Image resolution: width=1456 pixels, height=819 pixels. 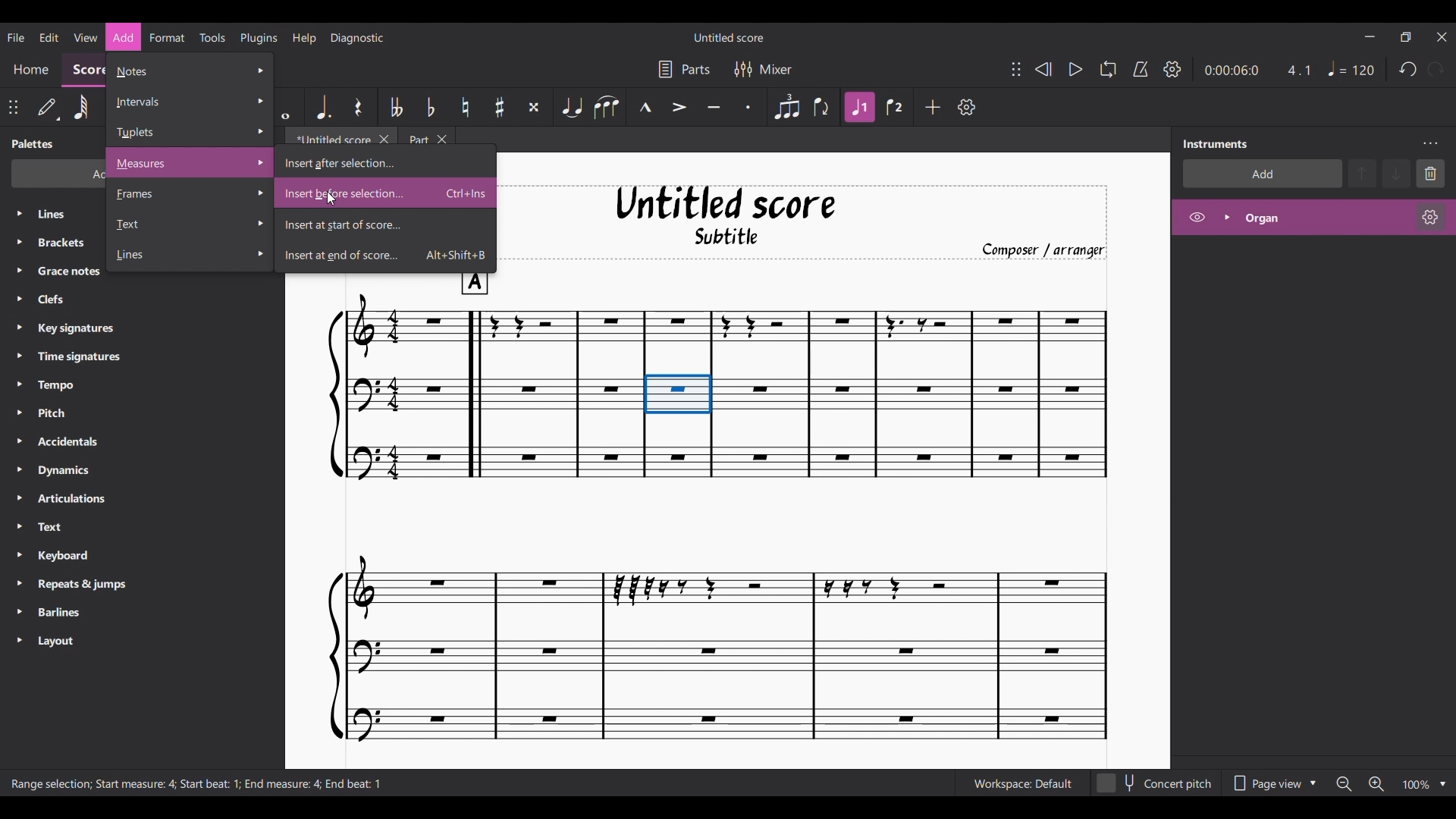 What do you see at coordinates (730, 37) in the screenshot?
I see `Name of current score` at bounding box center [730, 37].